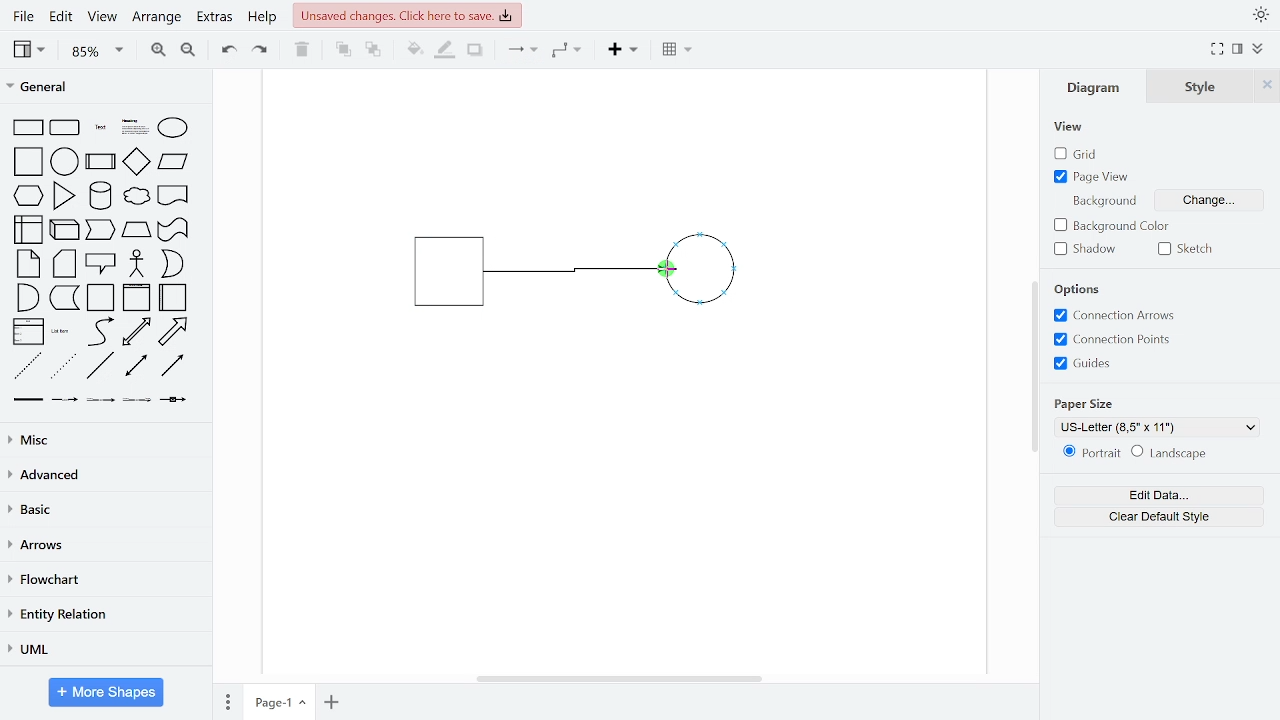 This screenshot has width=1280, height=720. Describe the element at coordinates (572, 50) in the screenshot. I see `waypoints` at that location.